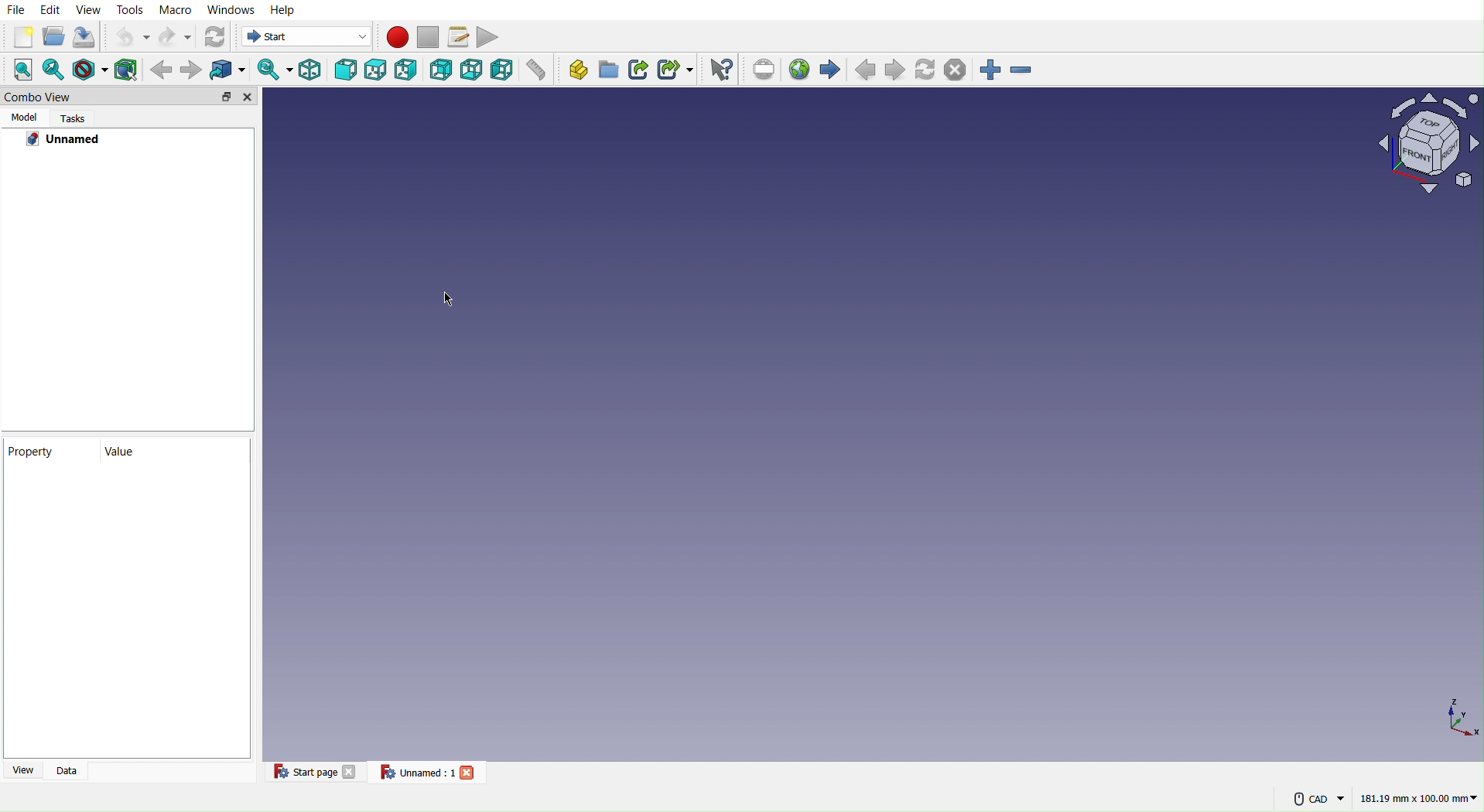 This screenshot has height=812, width=1484. Describe the element at coordinates (53, 36) in the screenshot. I see `Open a document` at that location.